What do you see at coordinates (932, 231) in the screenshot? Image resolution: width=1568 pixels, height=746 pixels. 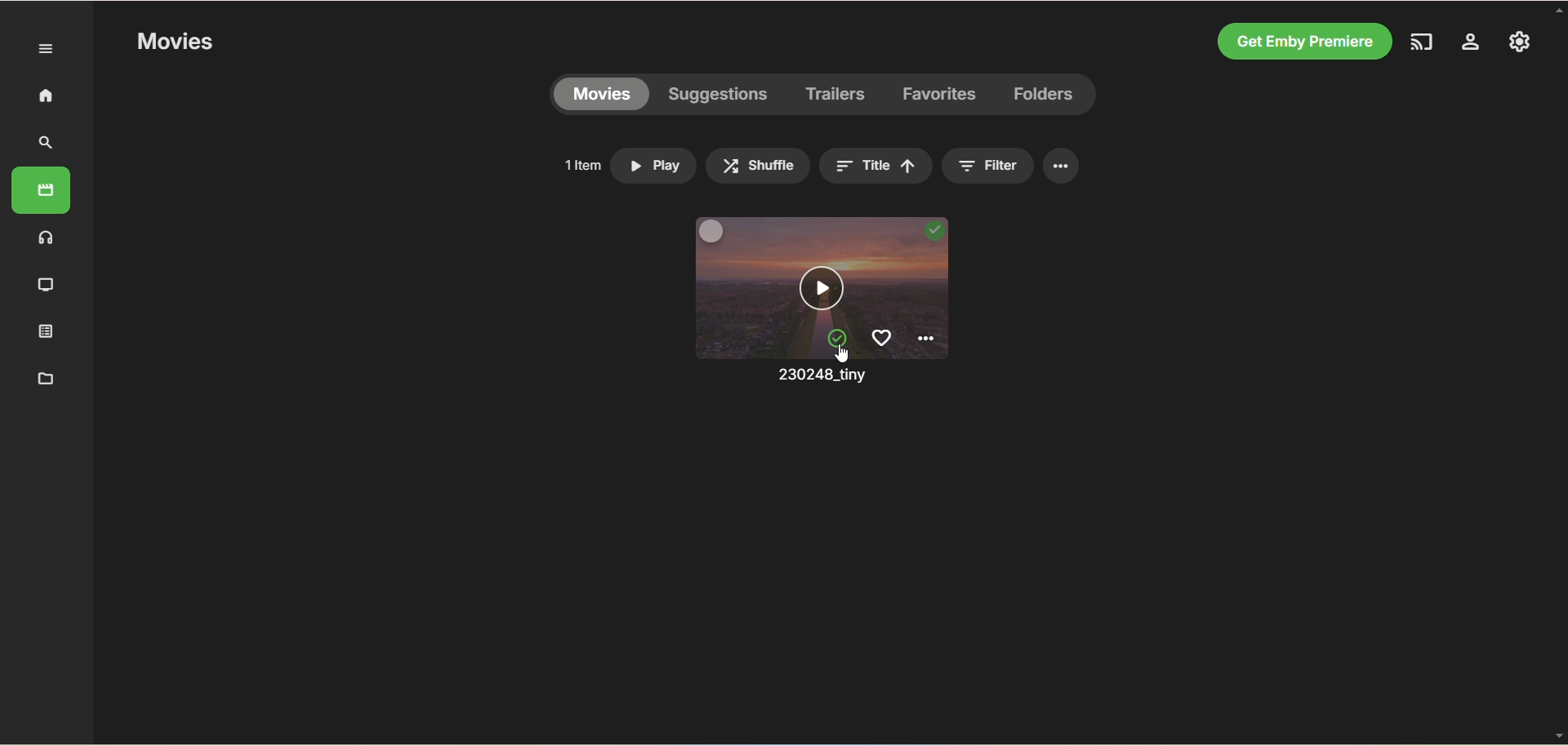 I see `played video` at bounding box center [932, 231].